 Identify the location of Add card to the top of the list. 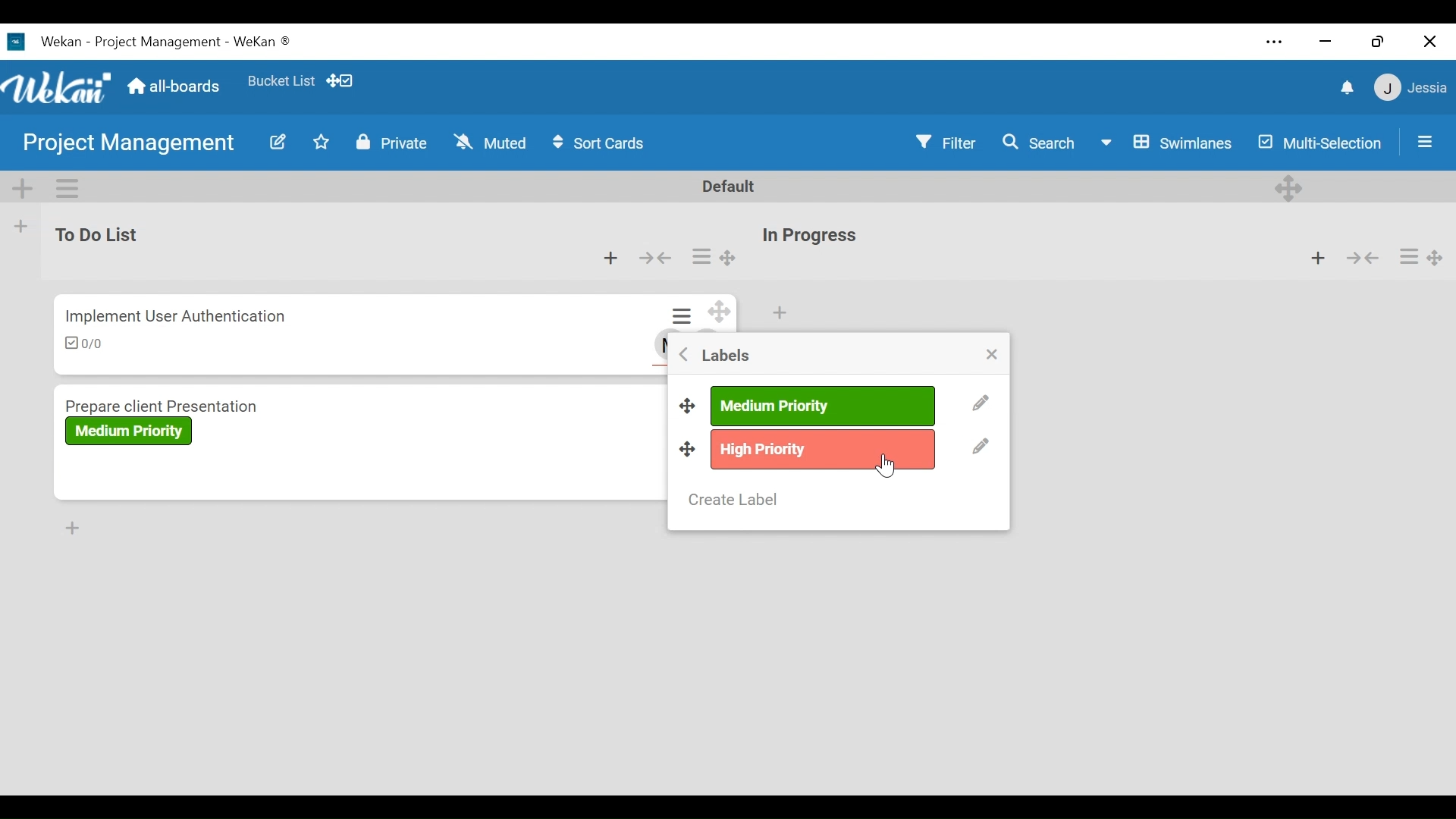
(613, 259).